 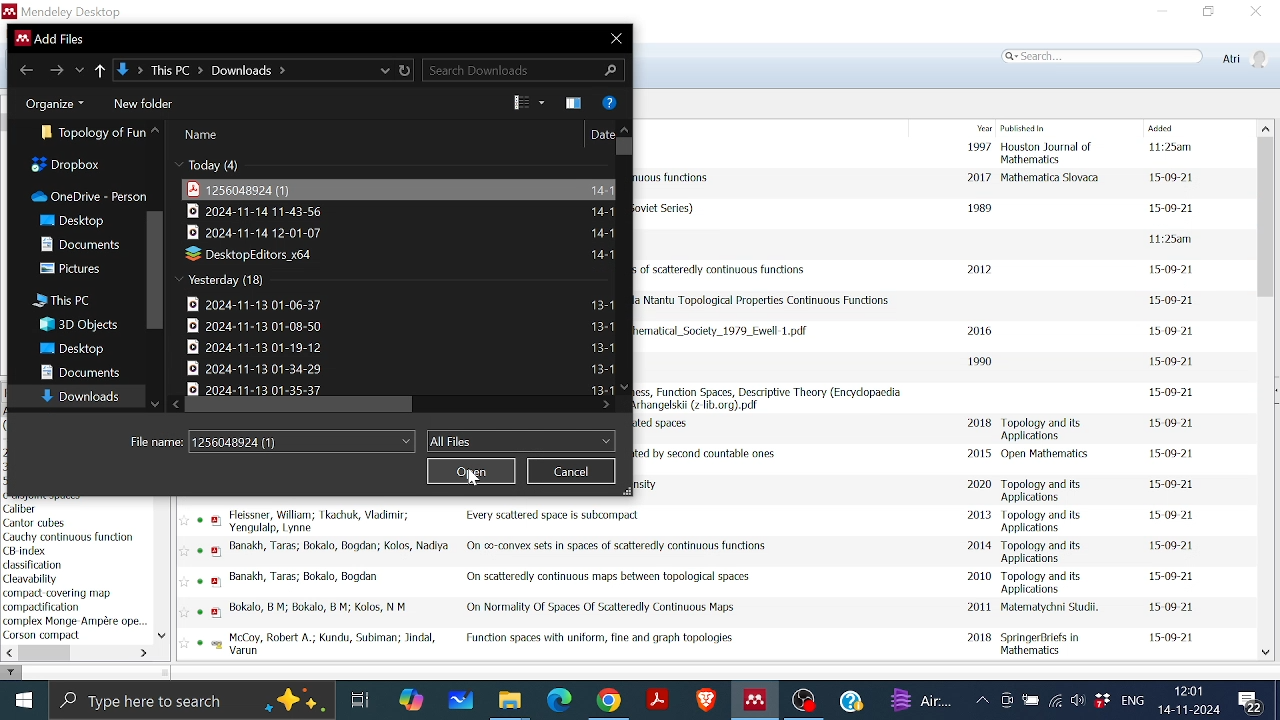 What do you see at coordinates (204, 520) in the screenshot?
I see `read status` at bounding box center [204, 520].